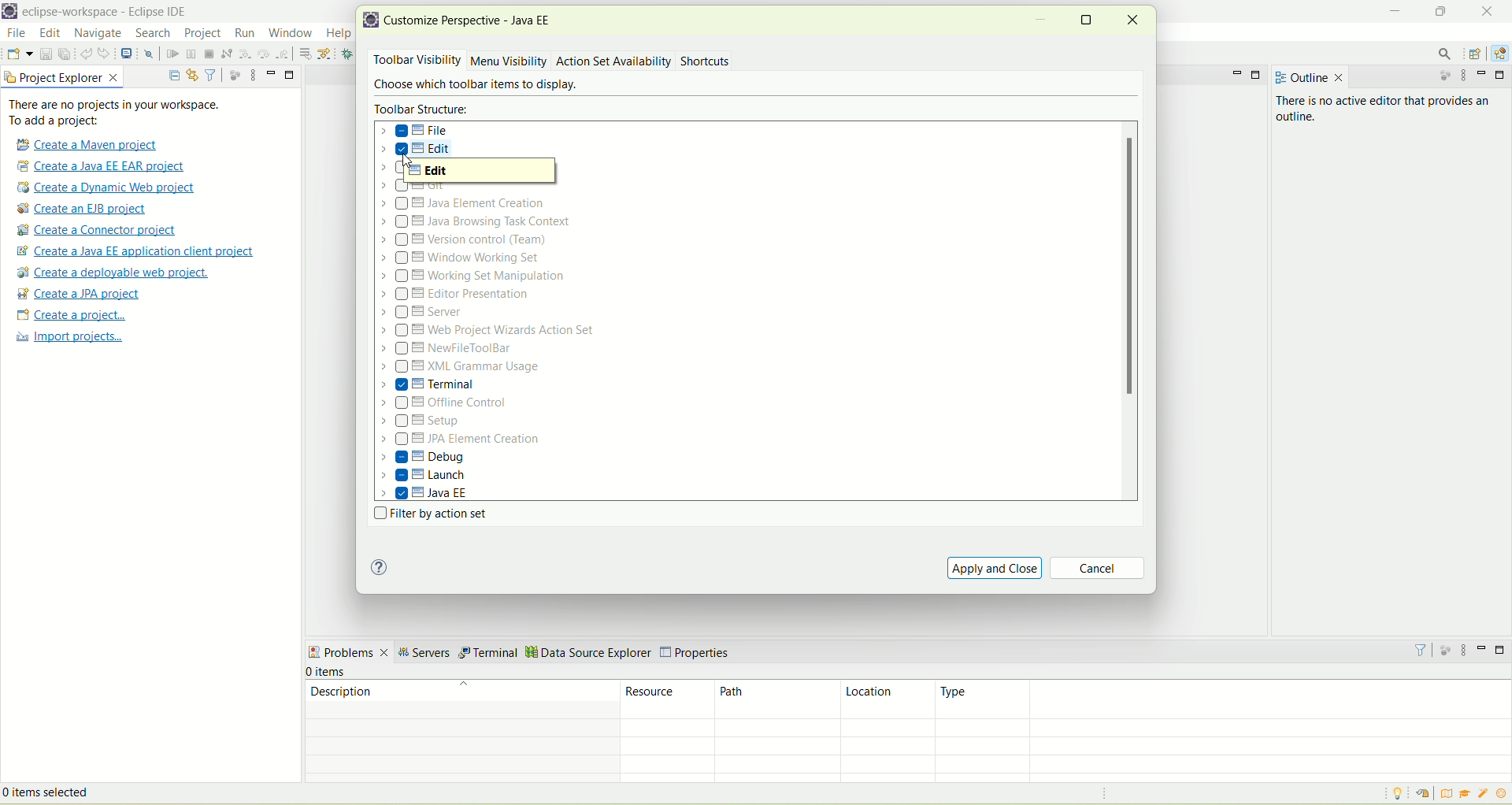 The image size is (1512, 805). What do you see at coordinates (51, 35) in the screenshot?
I see `edit` at bounding box center [51, 35].